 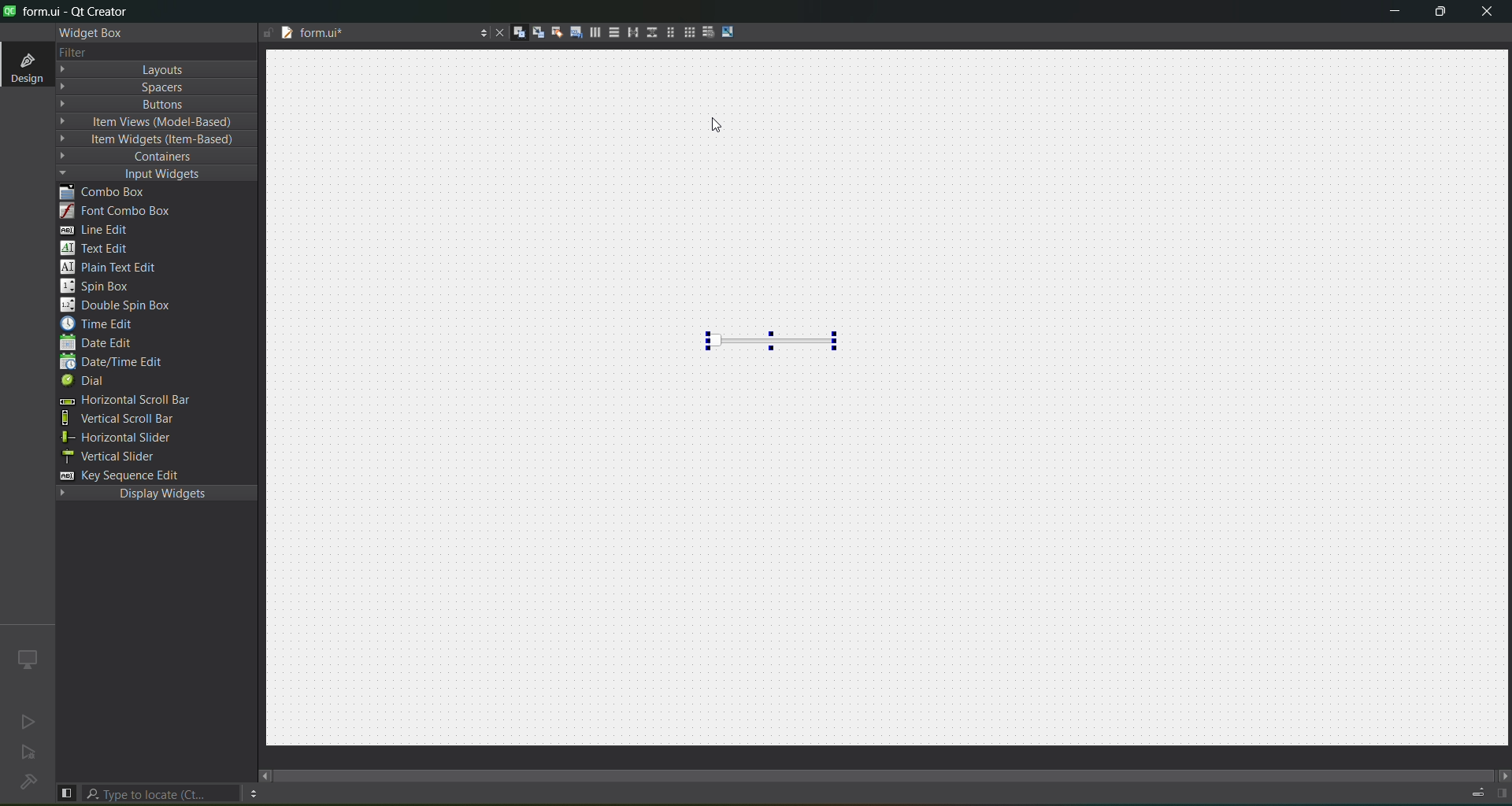 I want to click on design, so click(x=23, y=65).